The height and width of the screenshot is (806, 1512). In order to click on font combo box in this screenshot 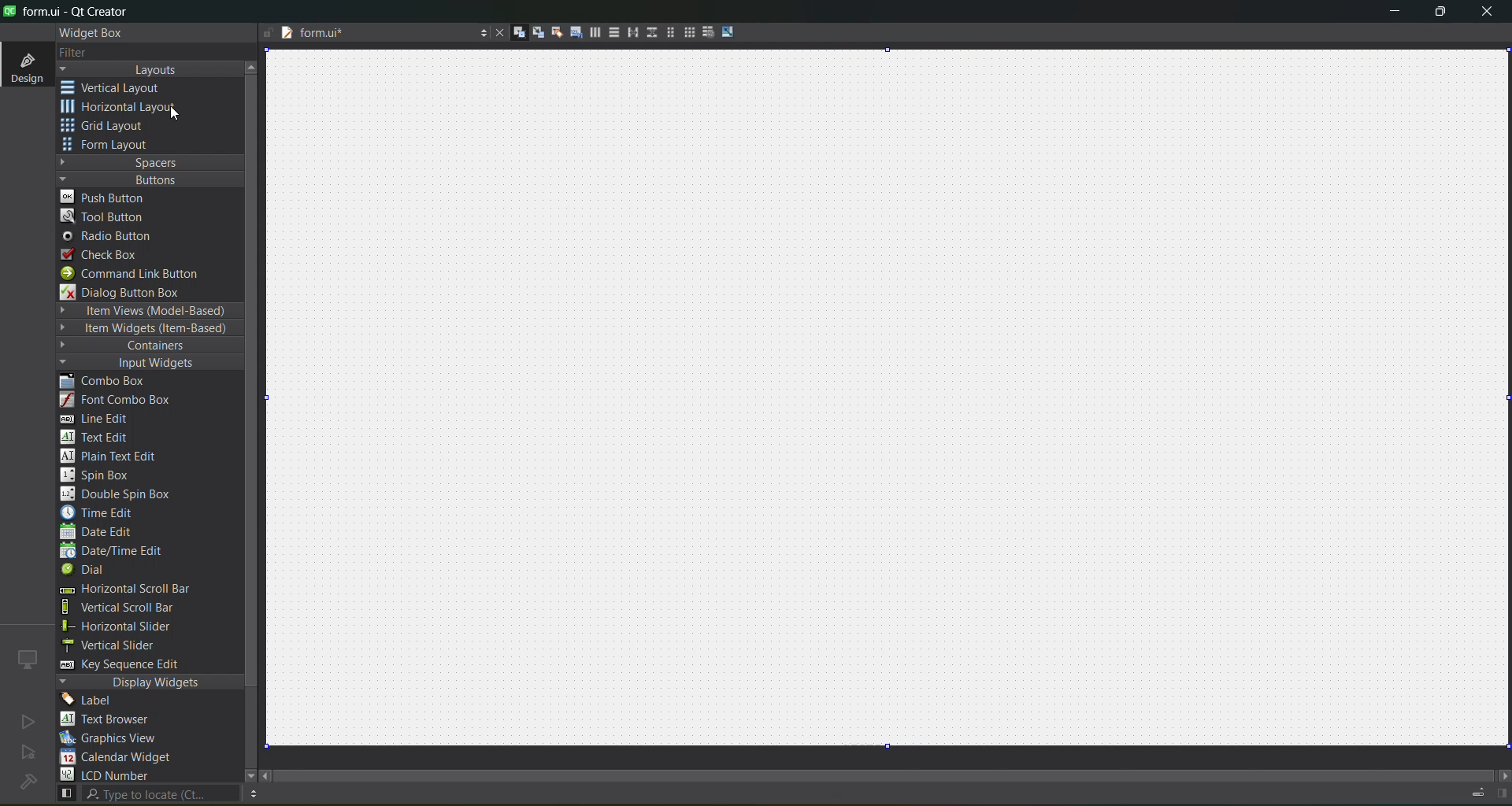, I will do `click(121, 401)`.